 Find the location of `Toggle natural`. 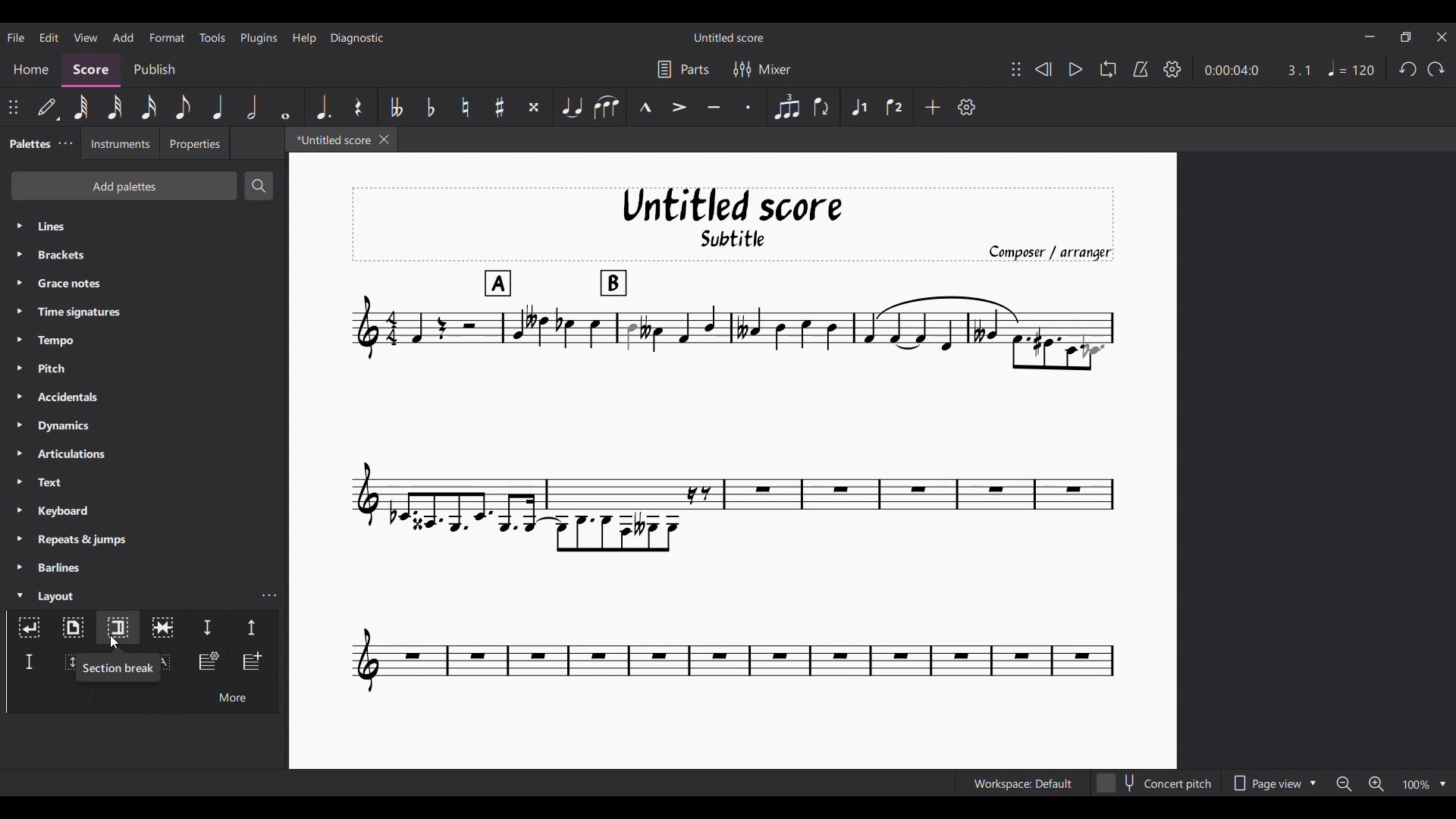

Toggle natural is located at coordinates (466, 107).